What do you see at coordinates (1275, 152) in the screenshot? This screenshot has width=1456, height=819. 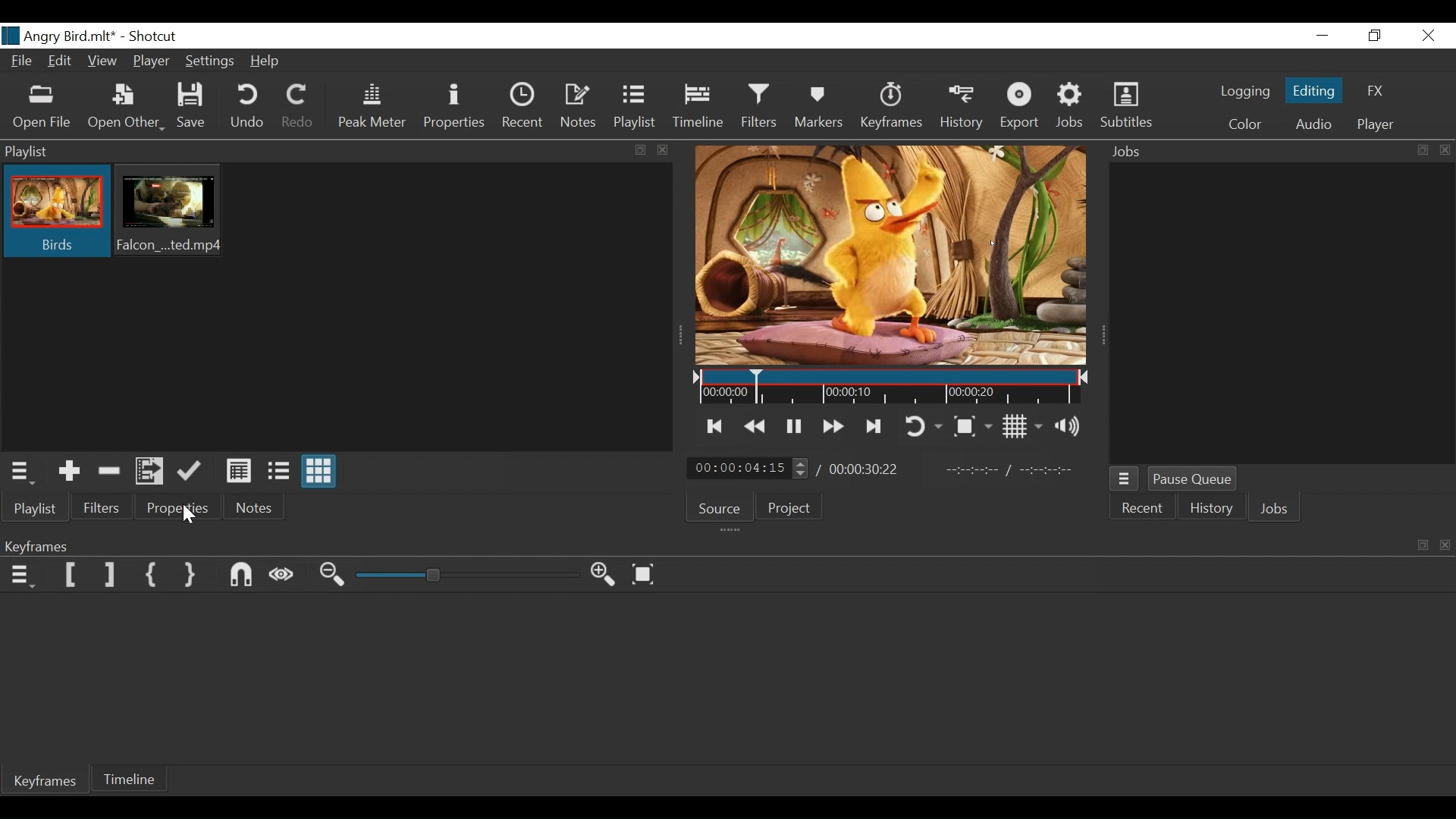 I see `Jobs Panel` at bounding box center [1275, 152].